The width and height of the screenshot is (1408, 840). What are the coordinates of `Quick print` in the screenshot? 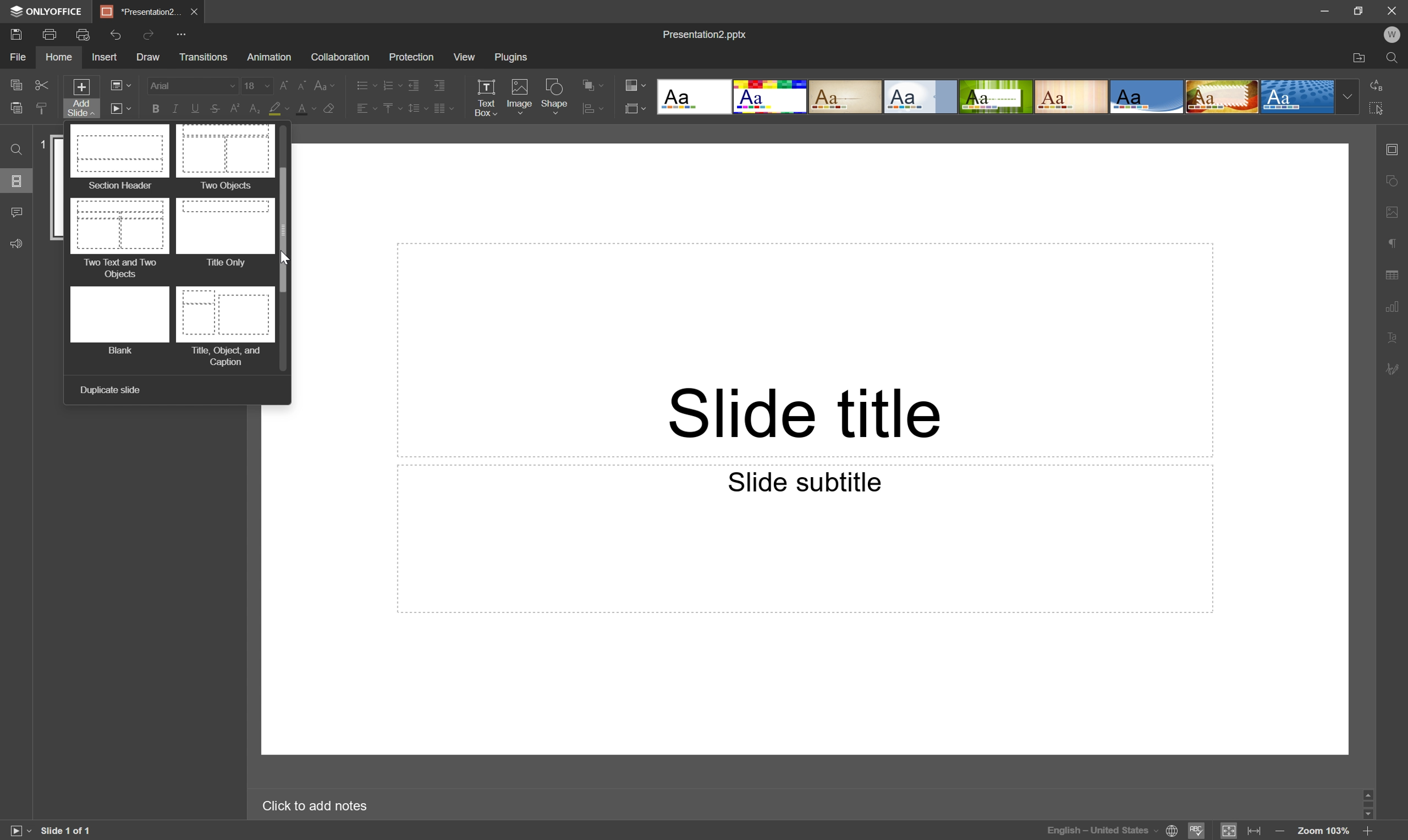 It's located at (84, 33).